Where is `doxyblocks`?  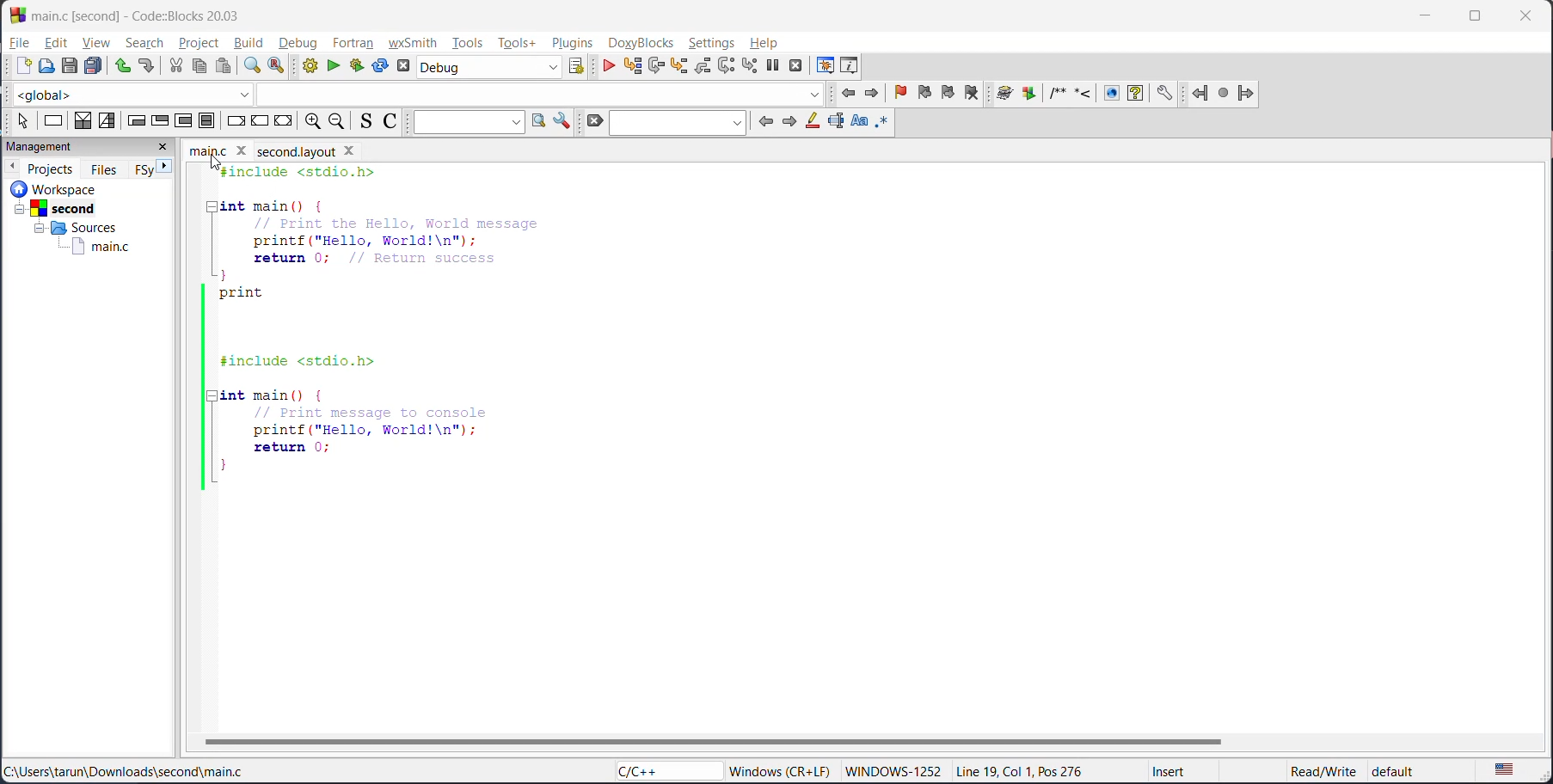
doxyblocks is located at coordinates (642, 43).